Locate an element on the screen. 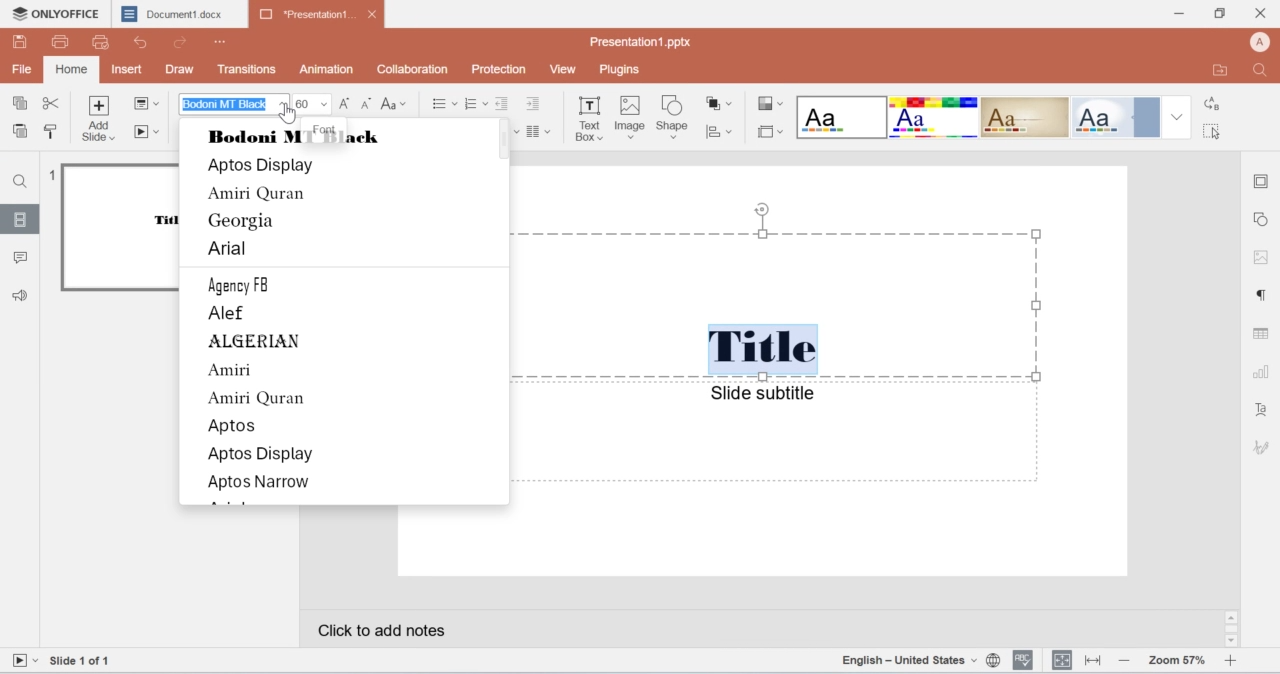 Image resolution: width=1280 pixels, height=674 pixels. close is located at coordinates (1262, 11).